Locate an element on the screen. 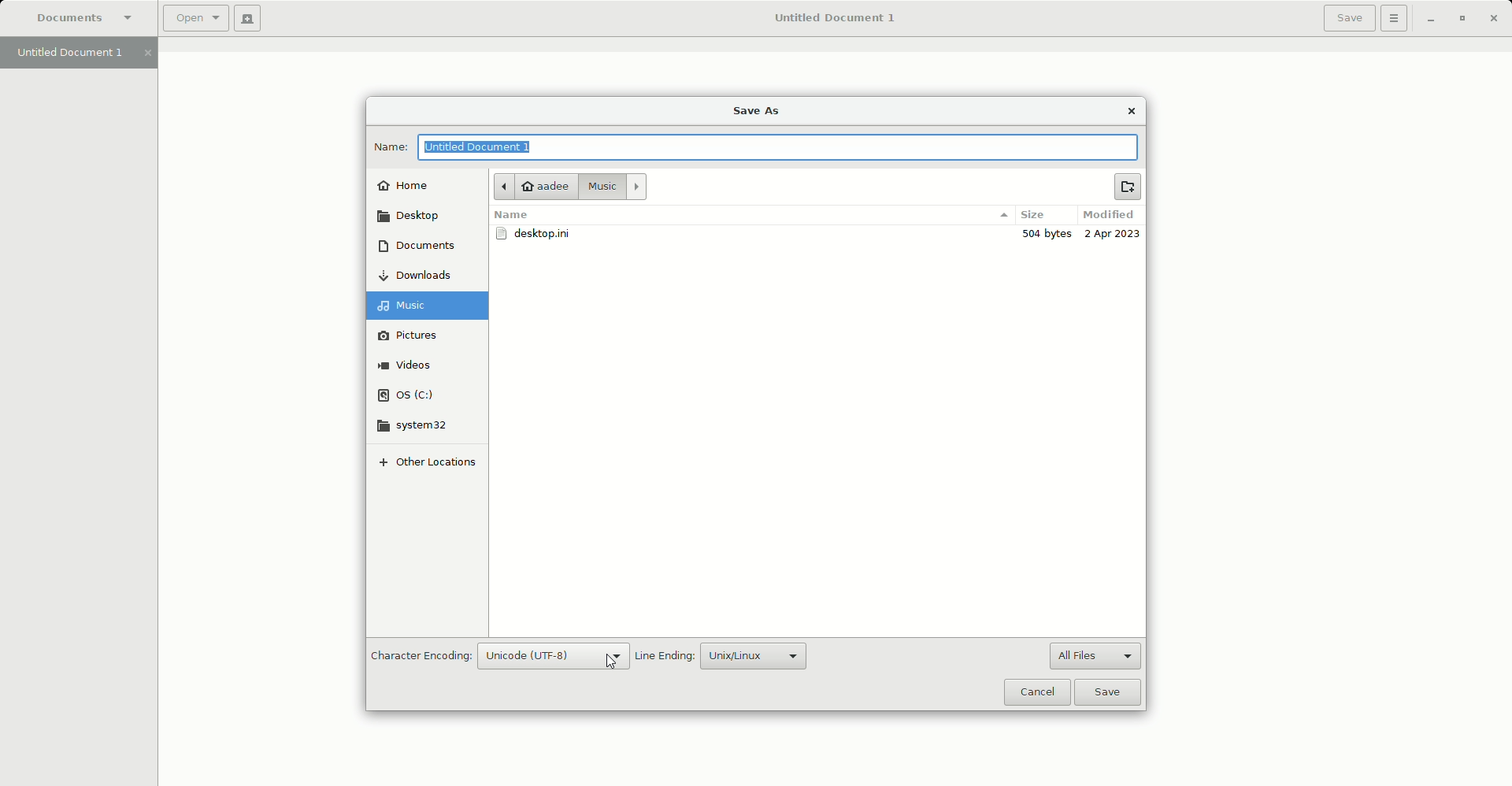 This screenshot has width=1512, height=786. Restore is located at coordinates (1462, 18).